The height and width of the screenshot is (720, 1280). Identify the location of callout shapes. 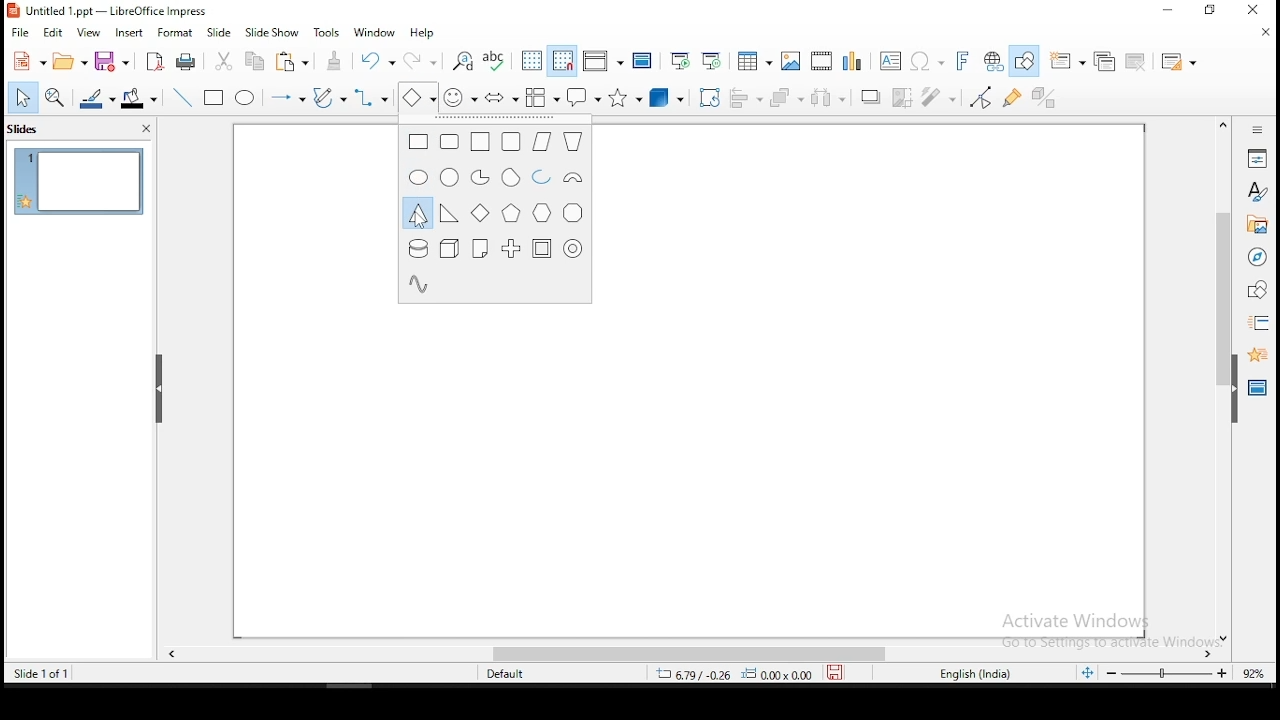
(582, 98).